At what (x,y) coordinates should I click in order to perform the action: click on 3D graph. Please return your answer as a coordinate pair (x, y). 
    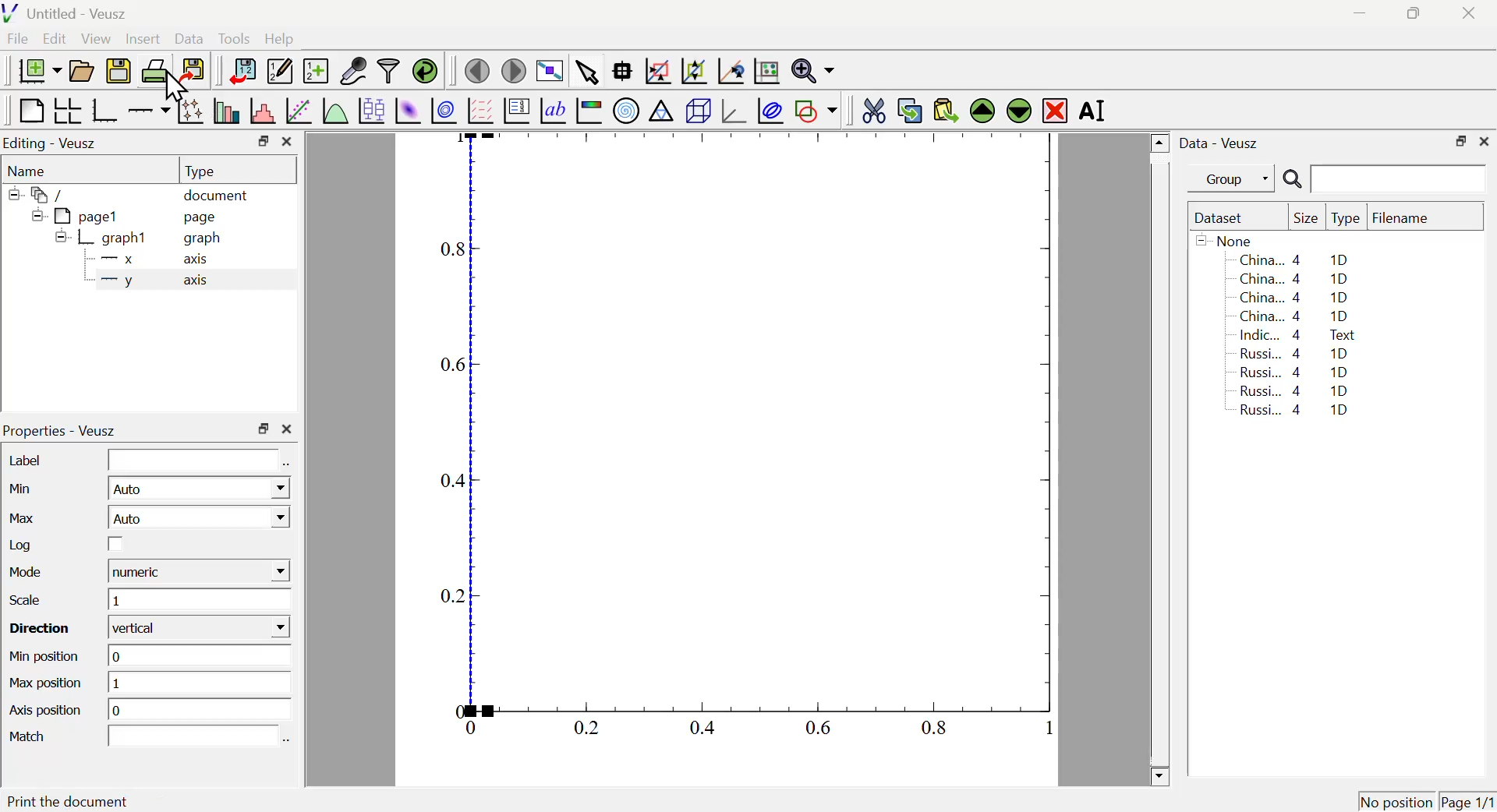
    Looking at the image, I should click on (735, 112).